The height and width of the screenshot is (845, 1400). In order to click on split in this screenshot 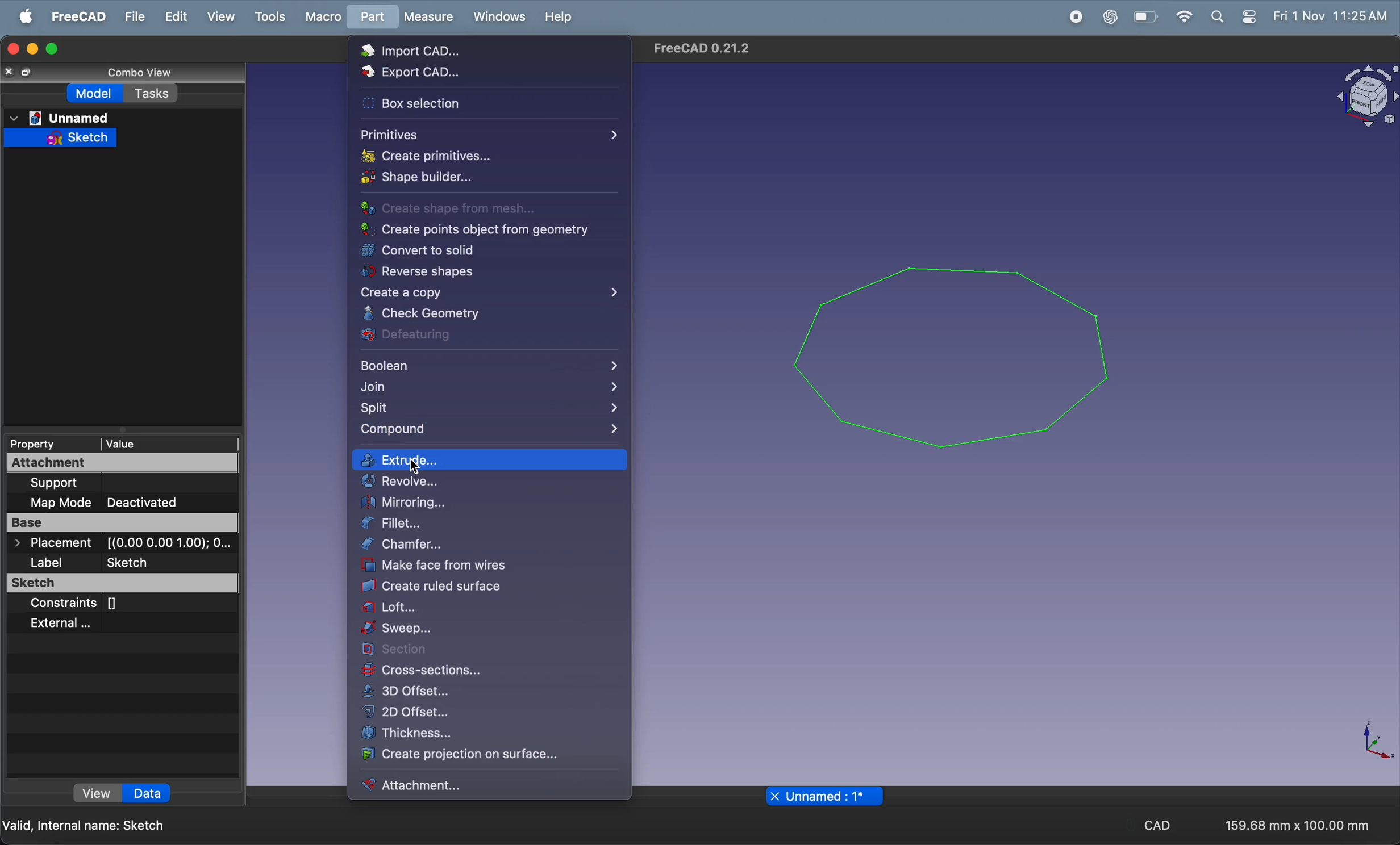, I will do `click(491, 412)`.